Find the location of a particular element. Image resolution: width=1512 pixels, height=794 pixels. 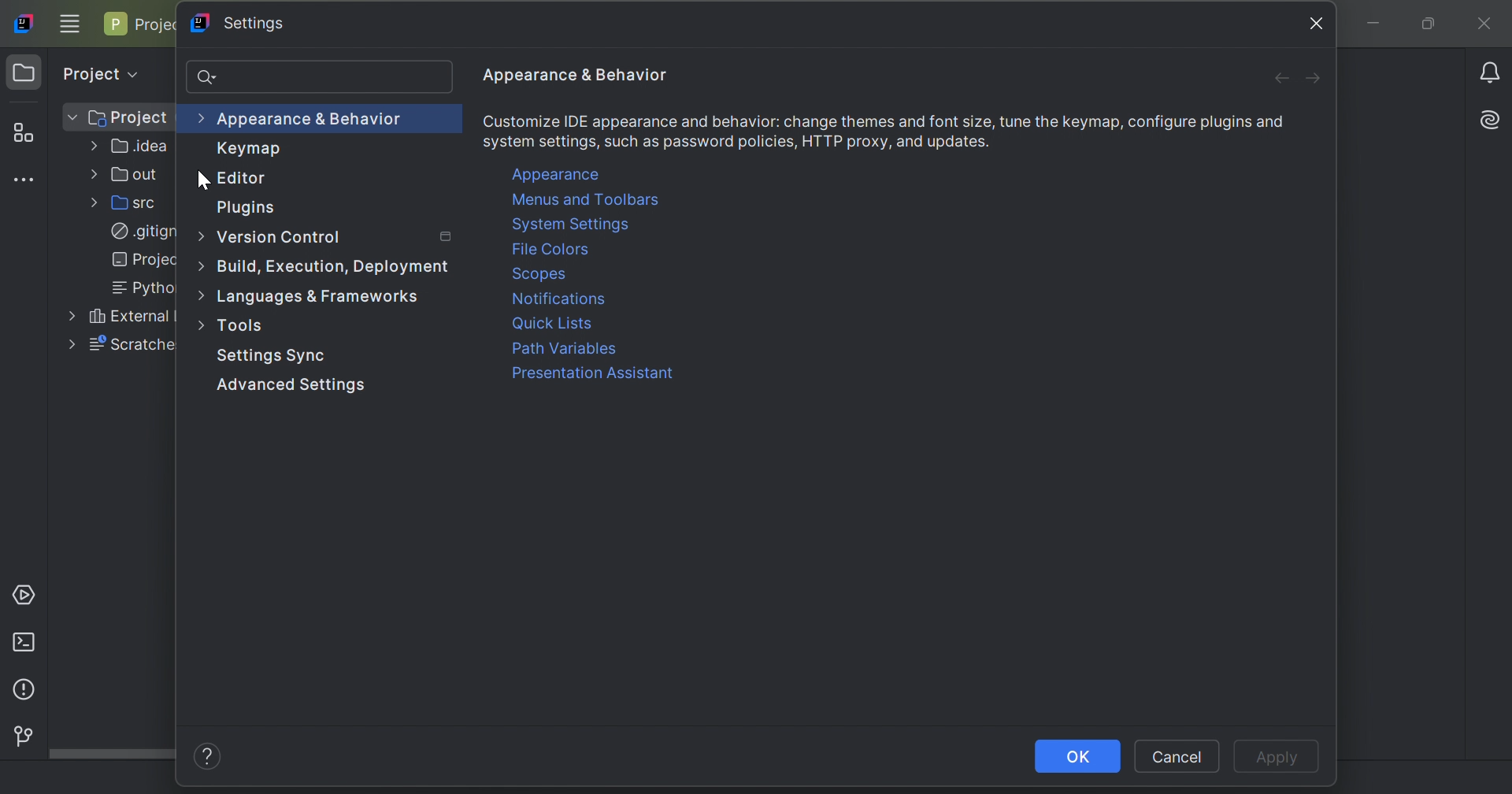

Plugins is located at coordinates (250, 209).